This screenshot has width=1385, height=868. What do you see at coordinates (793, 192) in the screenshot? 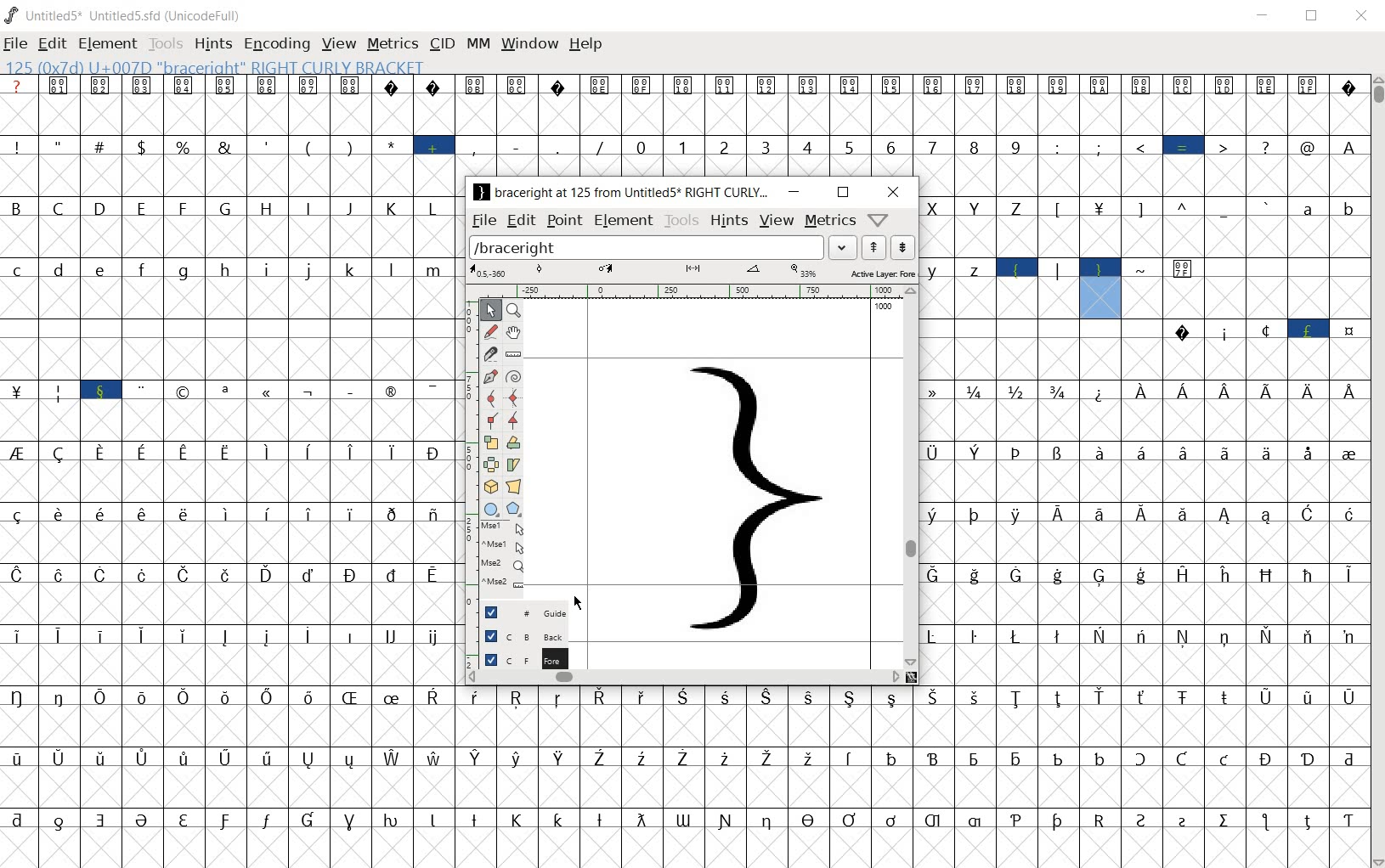
I see `minimize` at bounding box center [793, 192].